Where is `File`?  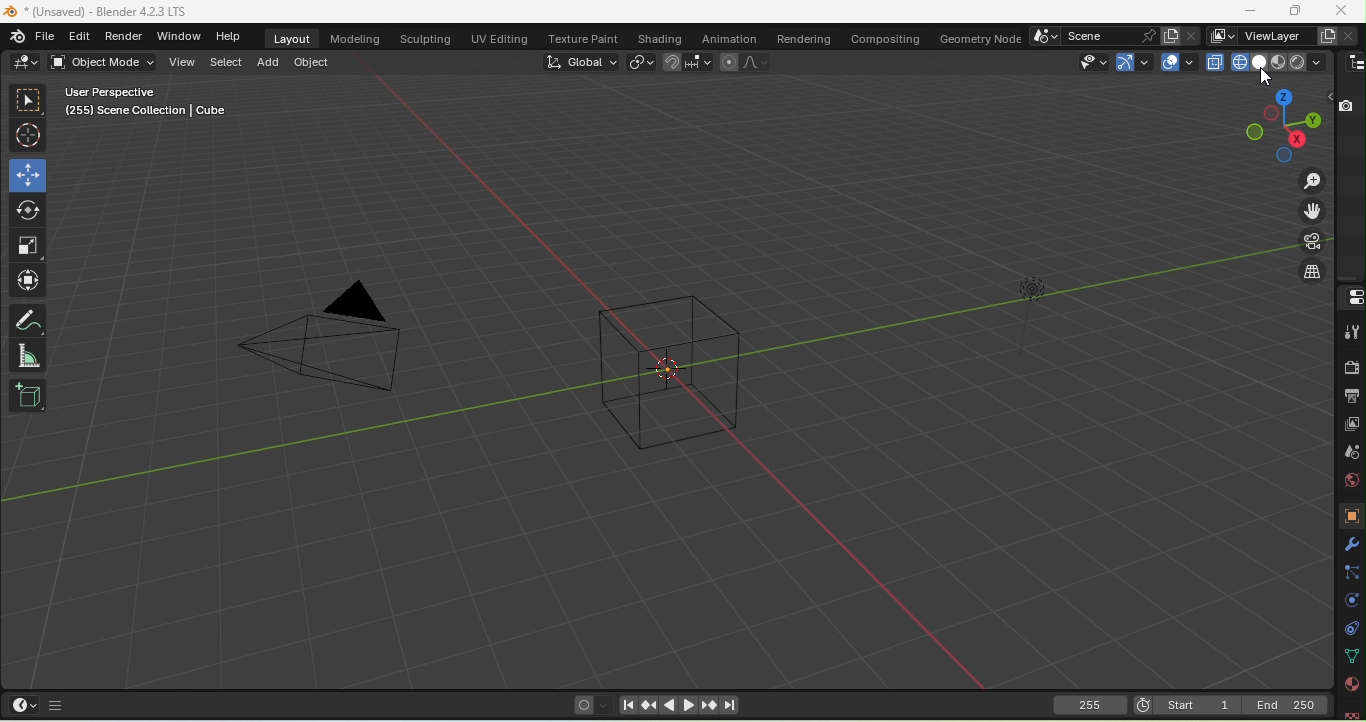
File is located at coordinates (44, 38).